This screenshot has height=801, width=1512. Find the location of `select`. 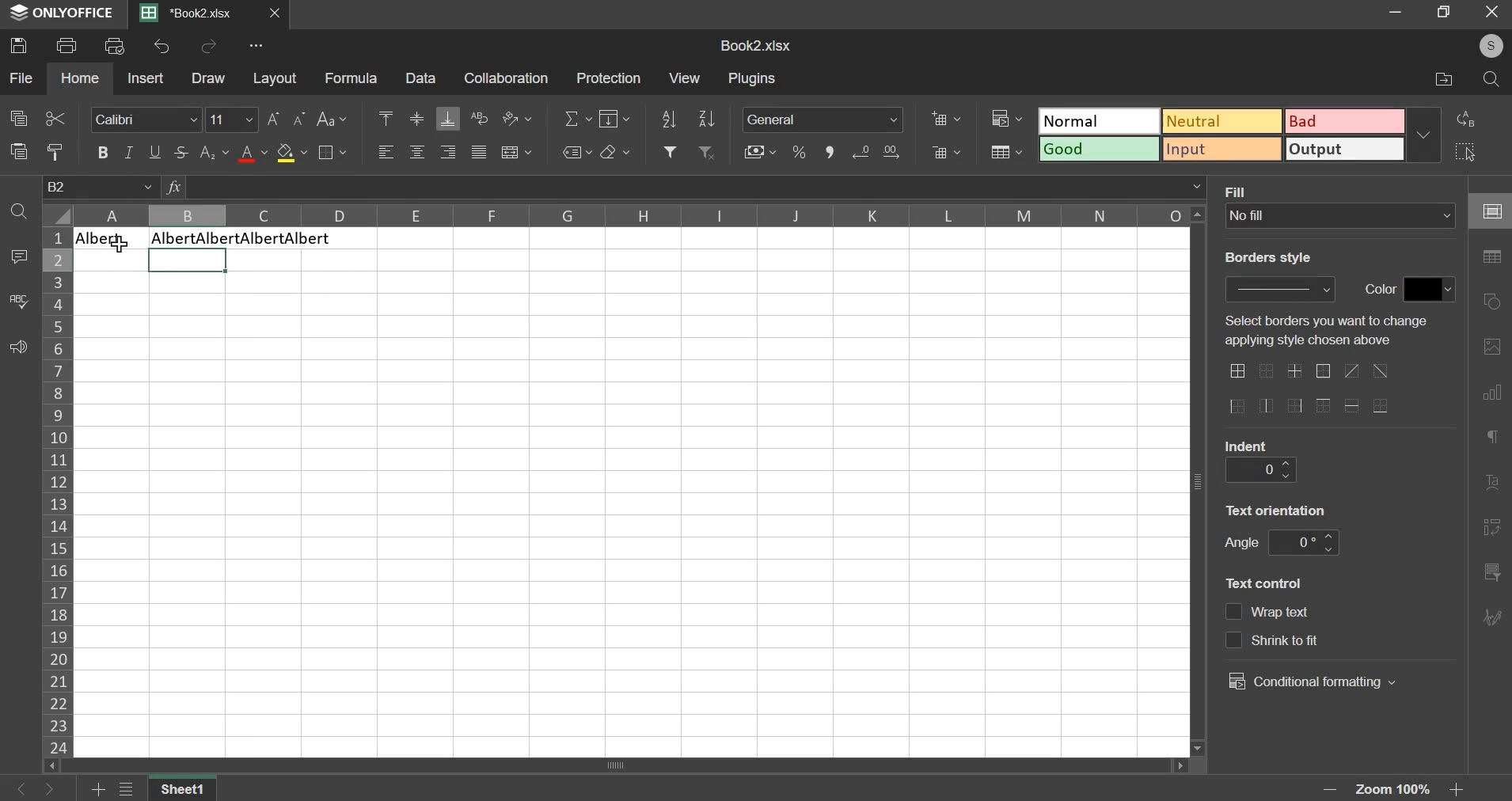

select is located at coordinates (1464, 152).